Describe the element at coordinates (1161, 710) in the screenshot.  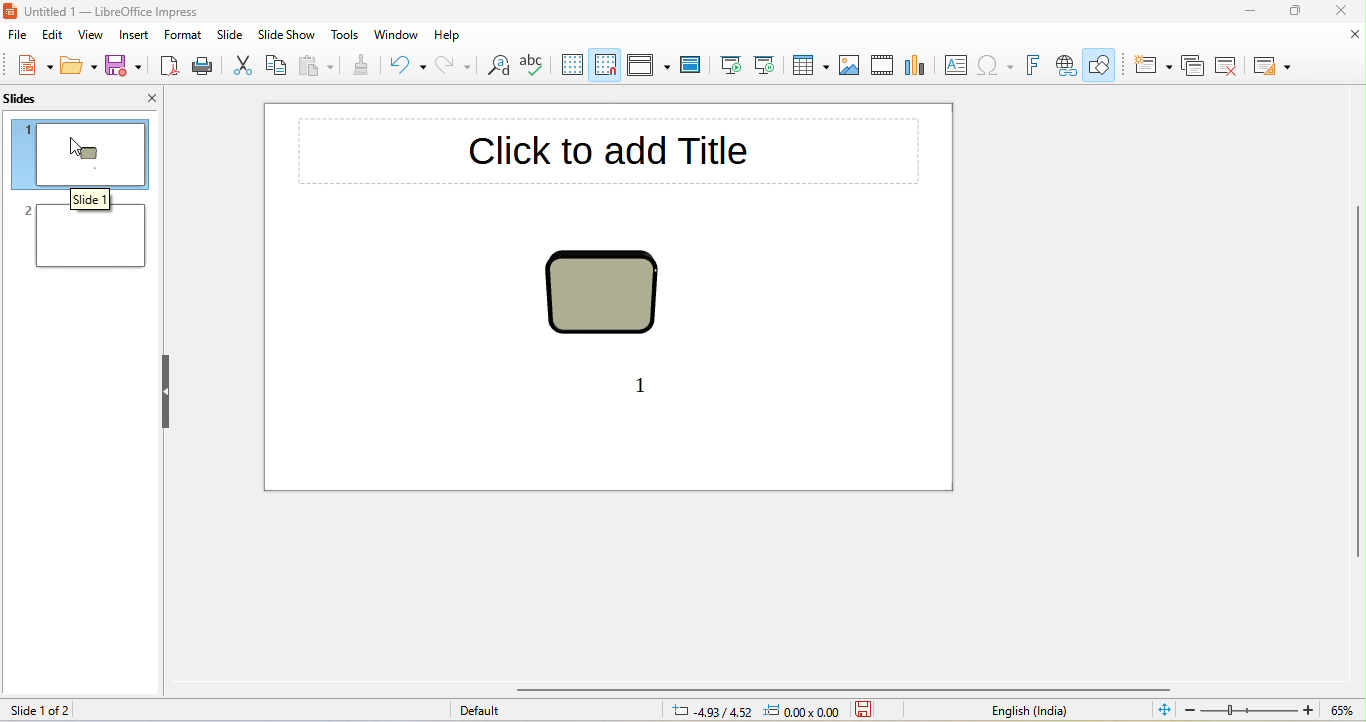
I see `fit slide to current window` at that location.